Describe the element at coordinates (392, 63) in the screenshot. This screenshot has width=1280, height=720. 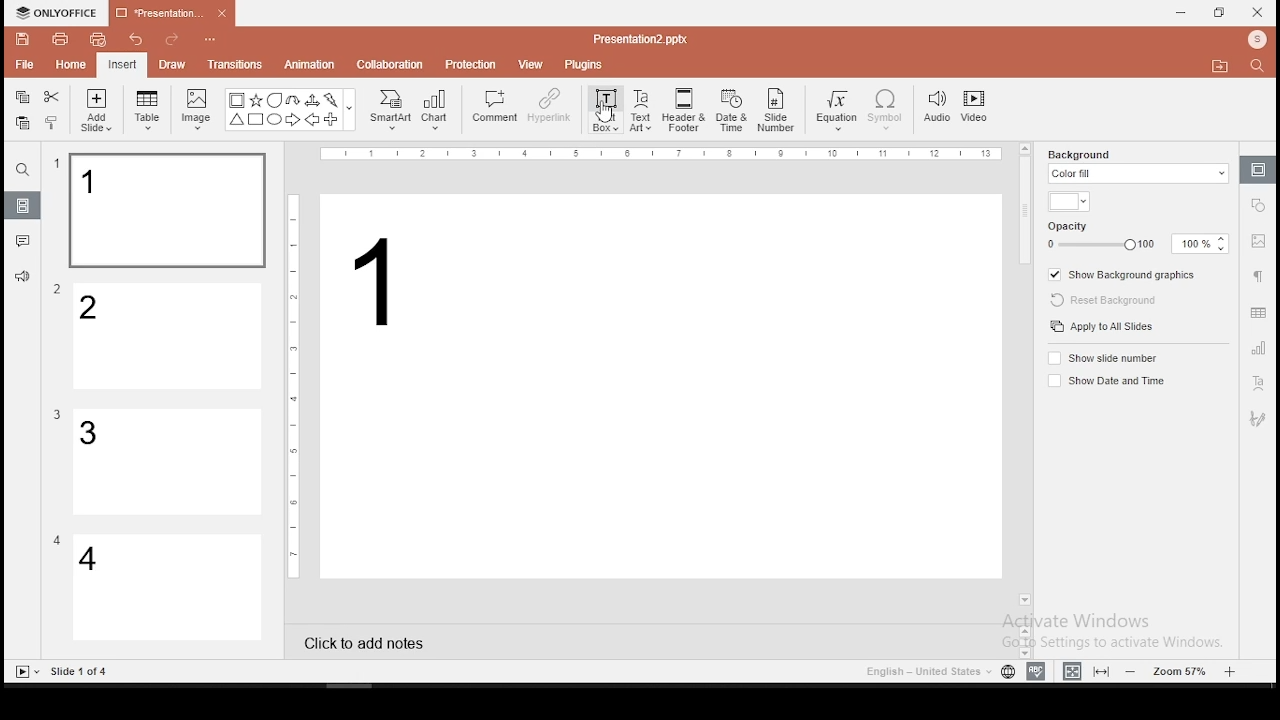
I see `collaboration` at that location.